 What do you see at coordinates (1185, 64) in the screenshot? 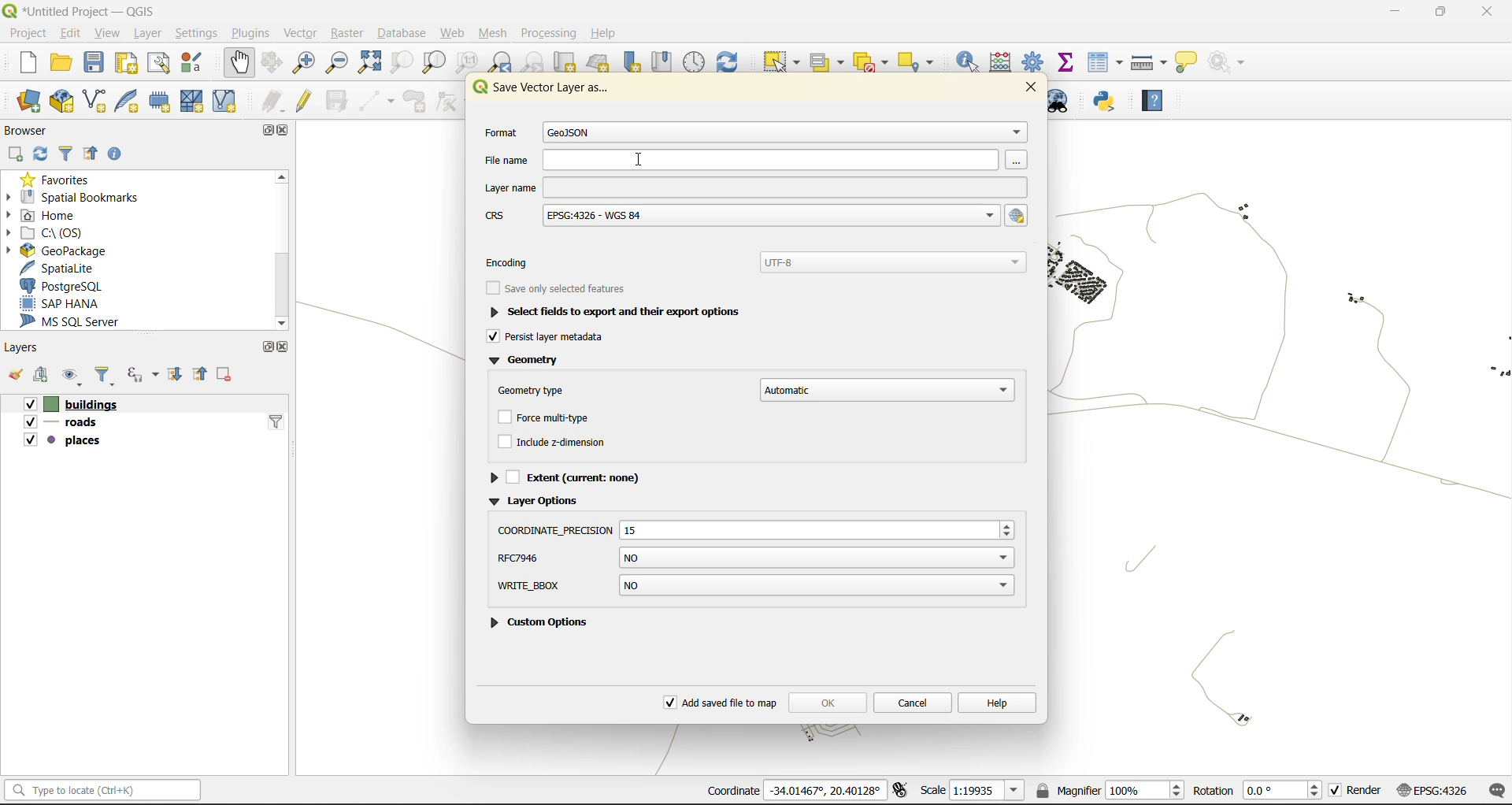
I see `show tips` at bounding box center [1185, 64].